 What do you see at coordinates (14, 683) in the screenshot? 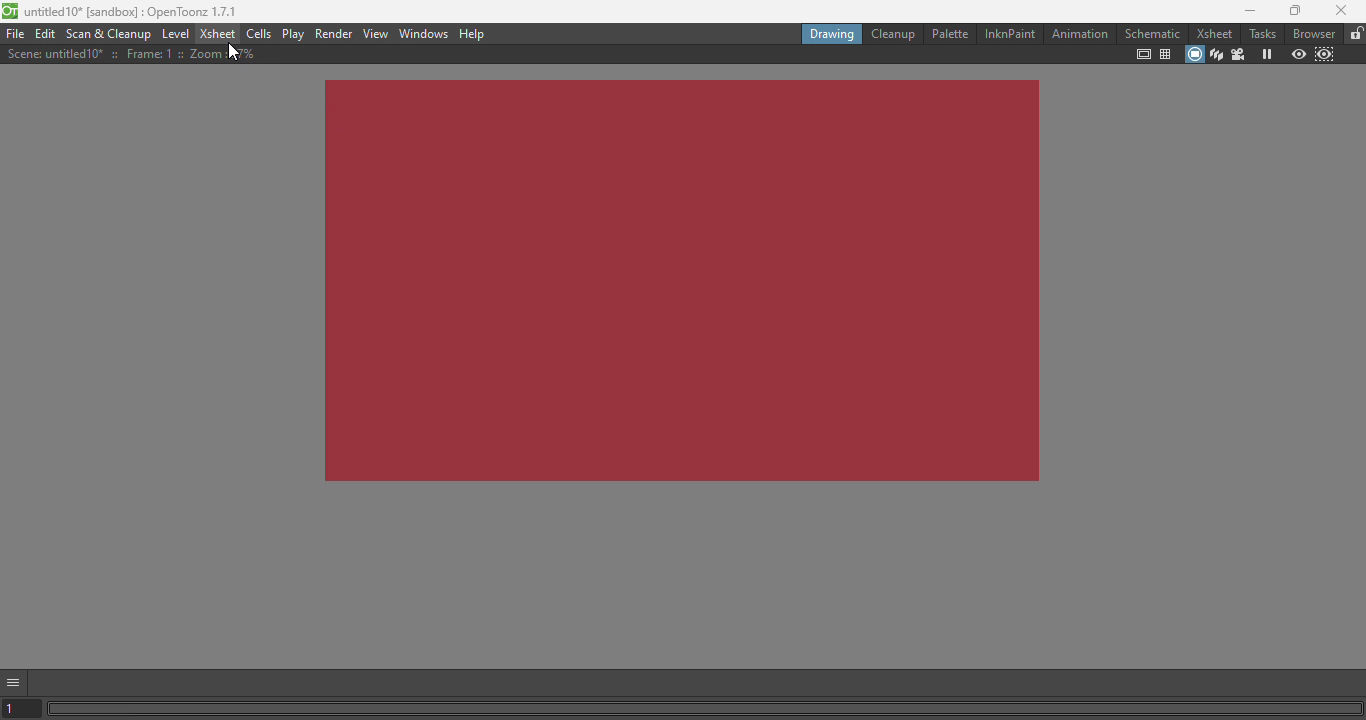
I see `GUI show/hide` at bounding box center [14, 683].